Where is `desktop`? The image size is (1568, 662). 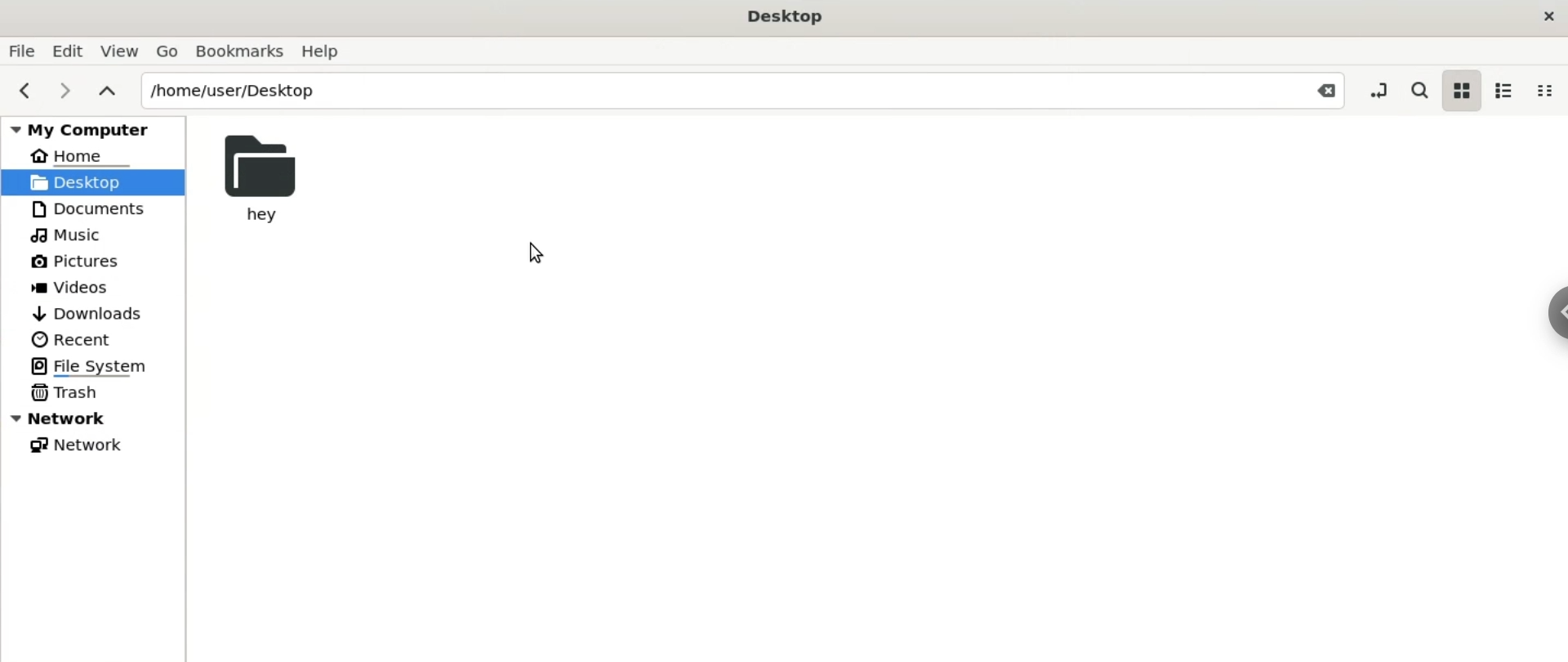 desktop is located at coordinates (93, 182).